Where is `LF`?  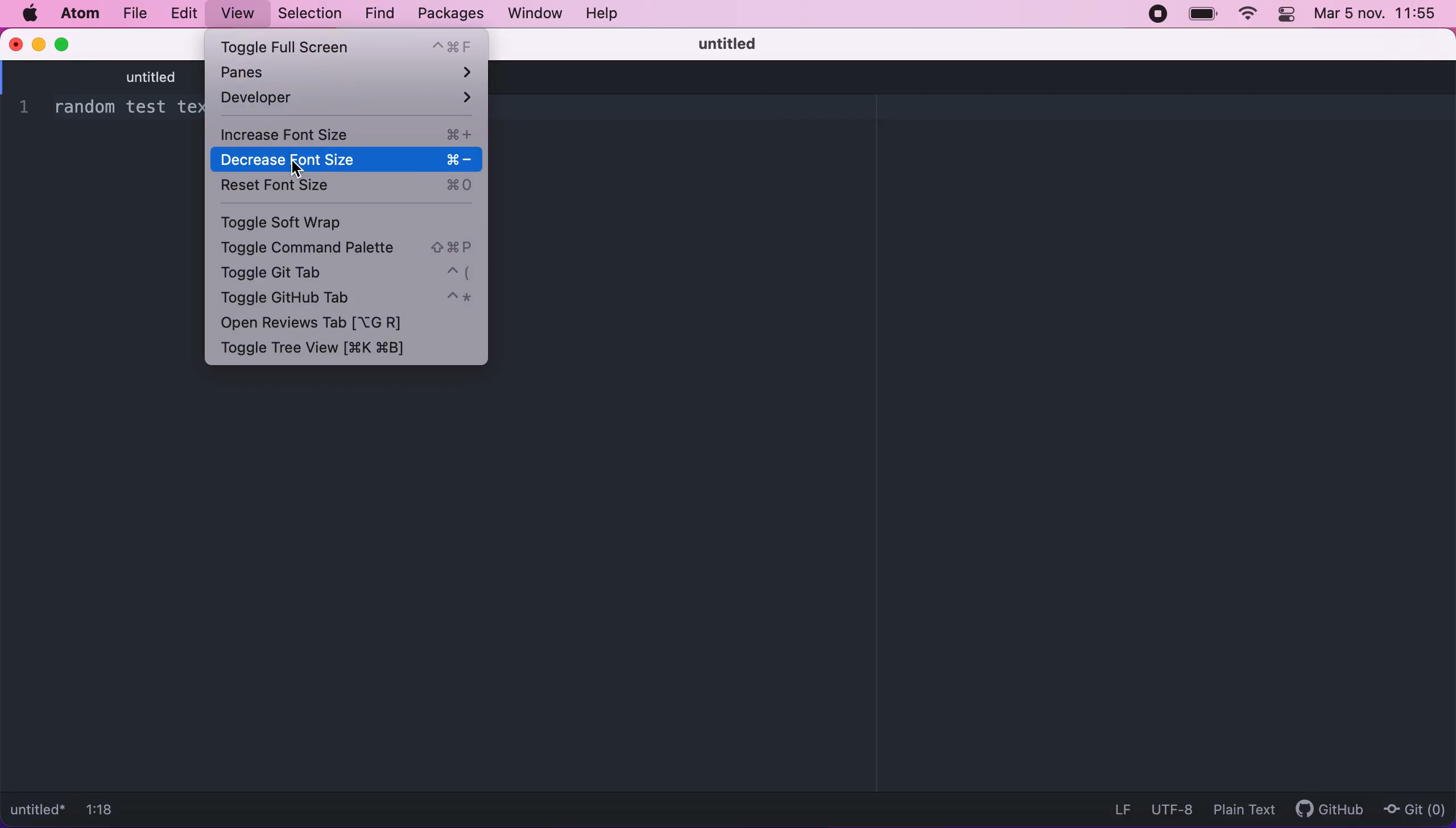 LF is located at coordinates (1118, 808).